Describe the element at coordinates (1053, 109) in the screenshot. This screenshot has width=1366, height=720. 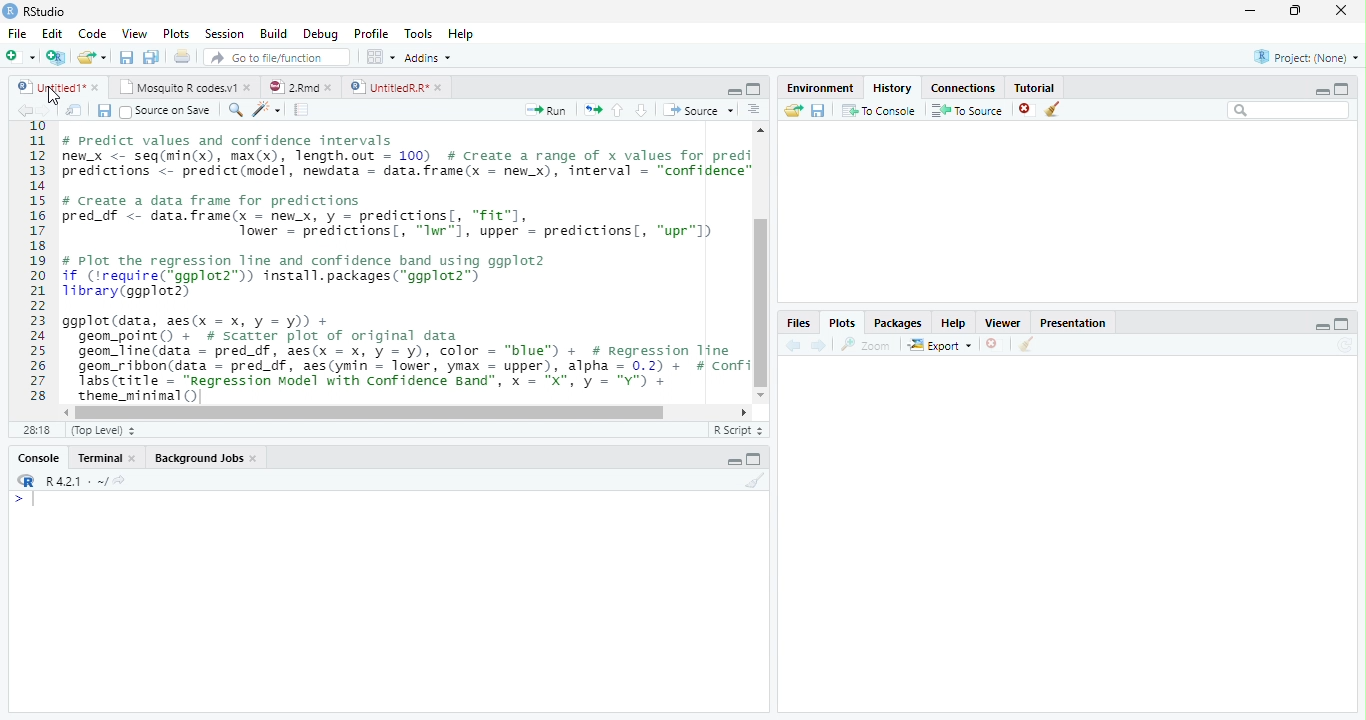
I see `Clear Console` at that location.